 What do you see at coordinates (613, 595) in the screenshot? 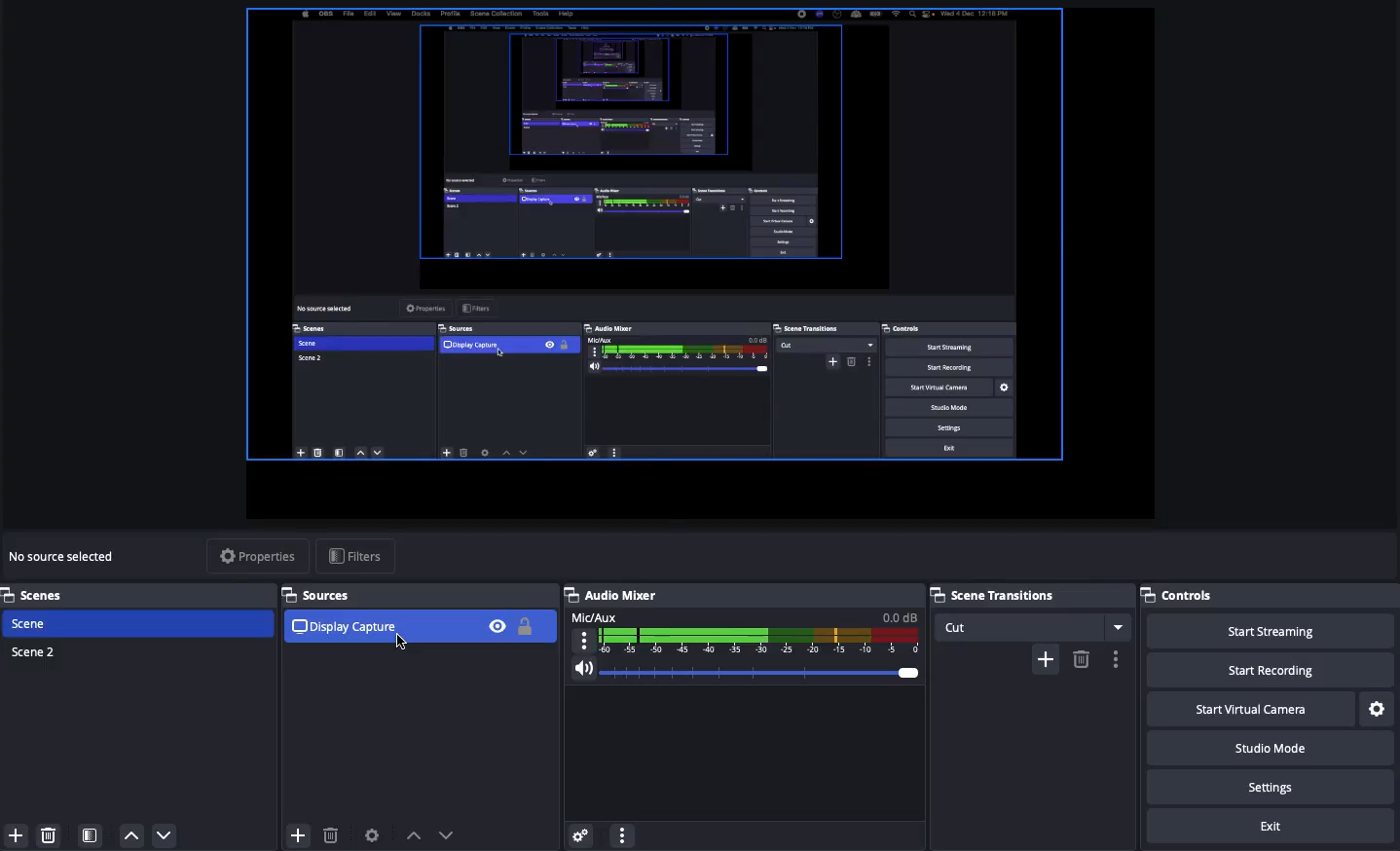
I see `Audio mixer` at bounding box center [613, 595].